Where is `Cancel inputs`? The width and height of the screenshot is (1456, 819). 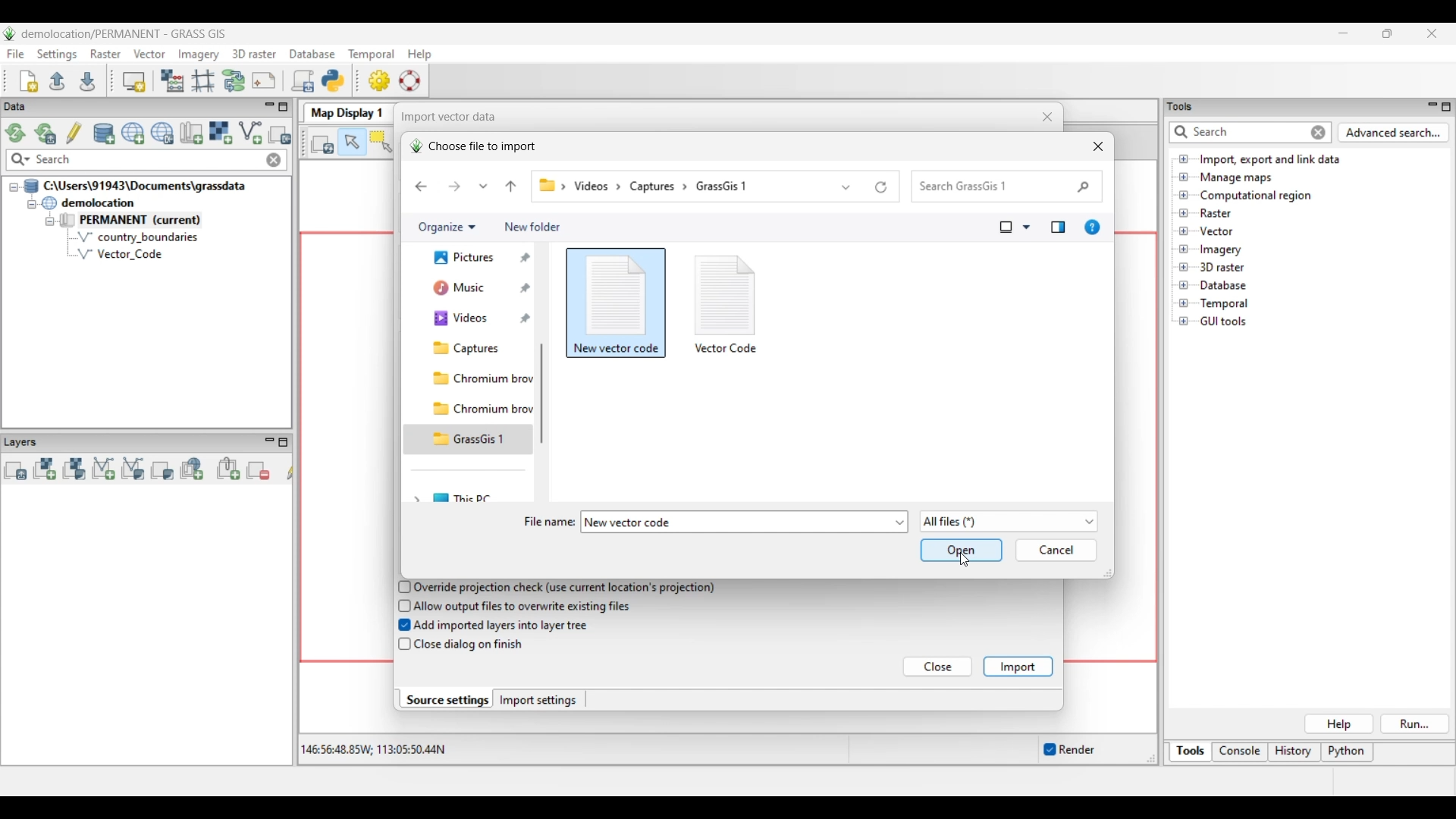
Cancel inputs is located at coordinates (1056, 551).